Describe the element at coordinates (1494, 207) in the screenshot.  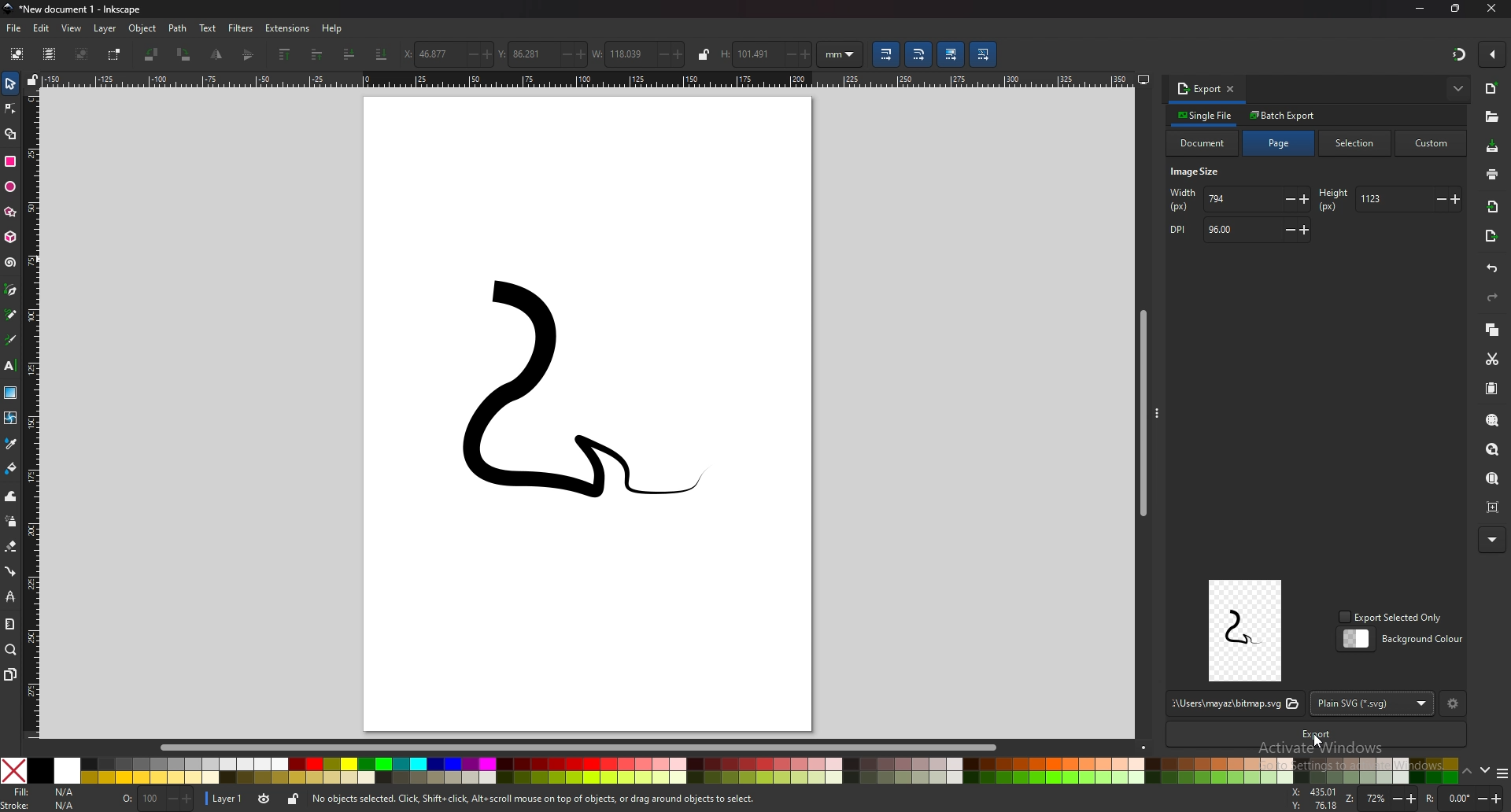
I see `import` at that location.